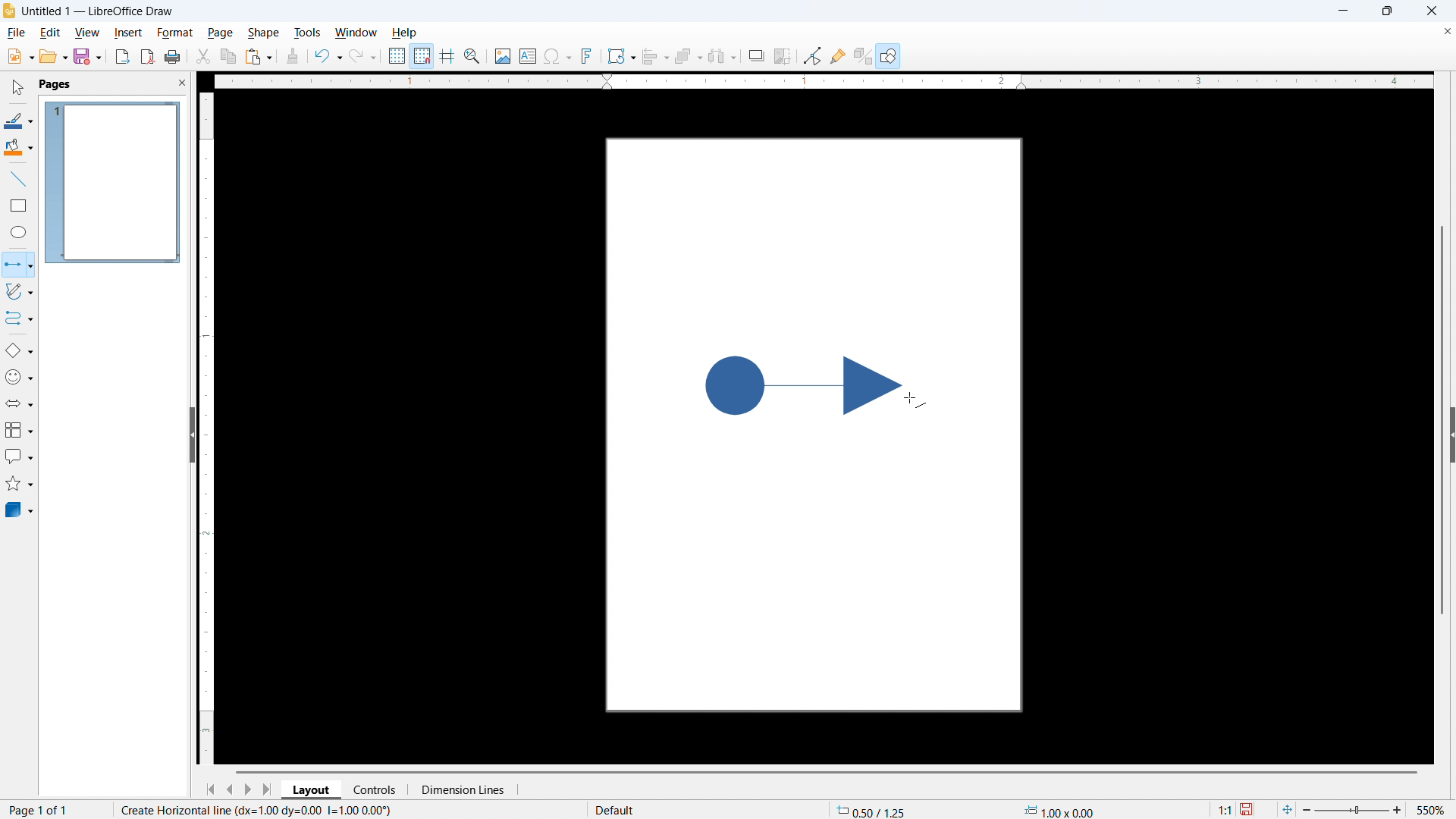 The width and height of the screenshot is (1456, 819). I want to click on 3d objects, so click(20, 510).